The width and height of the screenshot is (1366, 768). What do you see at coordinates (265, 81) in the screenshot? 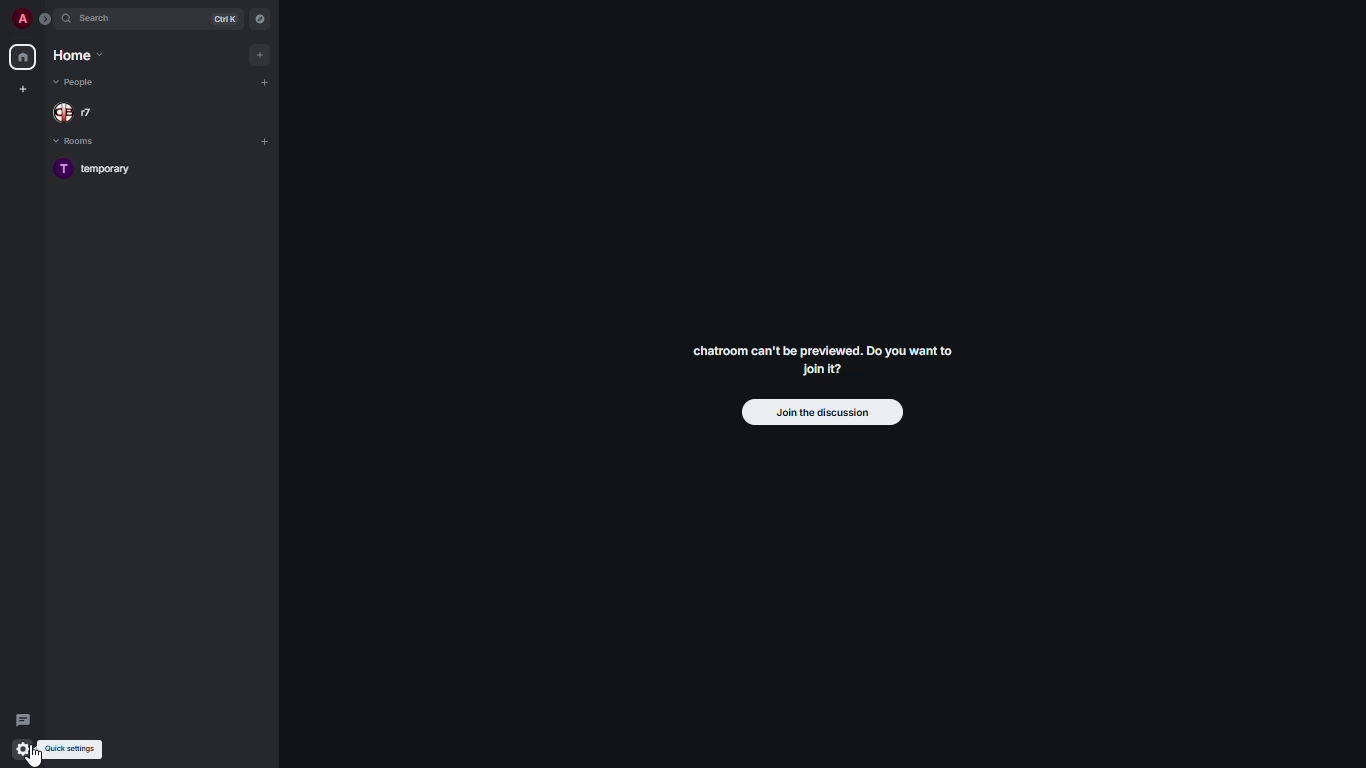
I see `add` at bounding box center [265, 81].